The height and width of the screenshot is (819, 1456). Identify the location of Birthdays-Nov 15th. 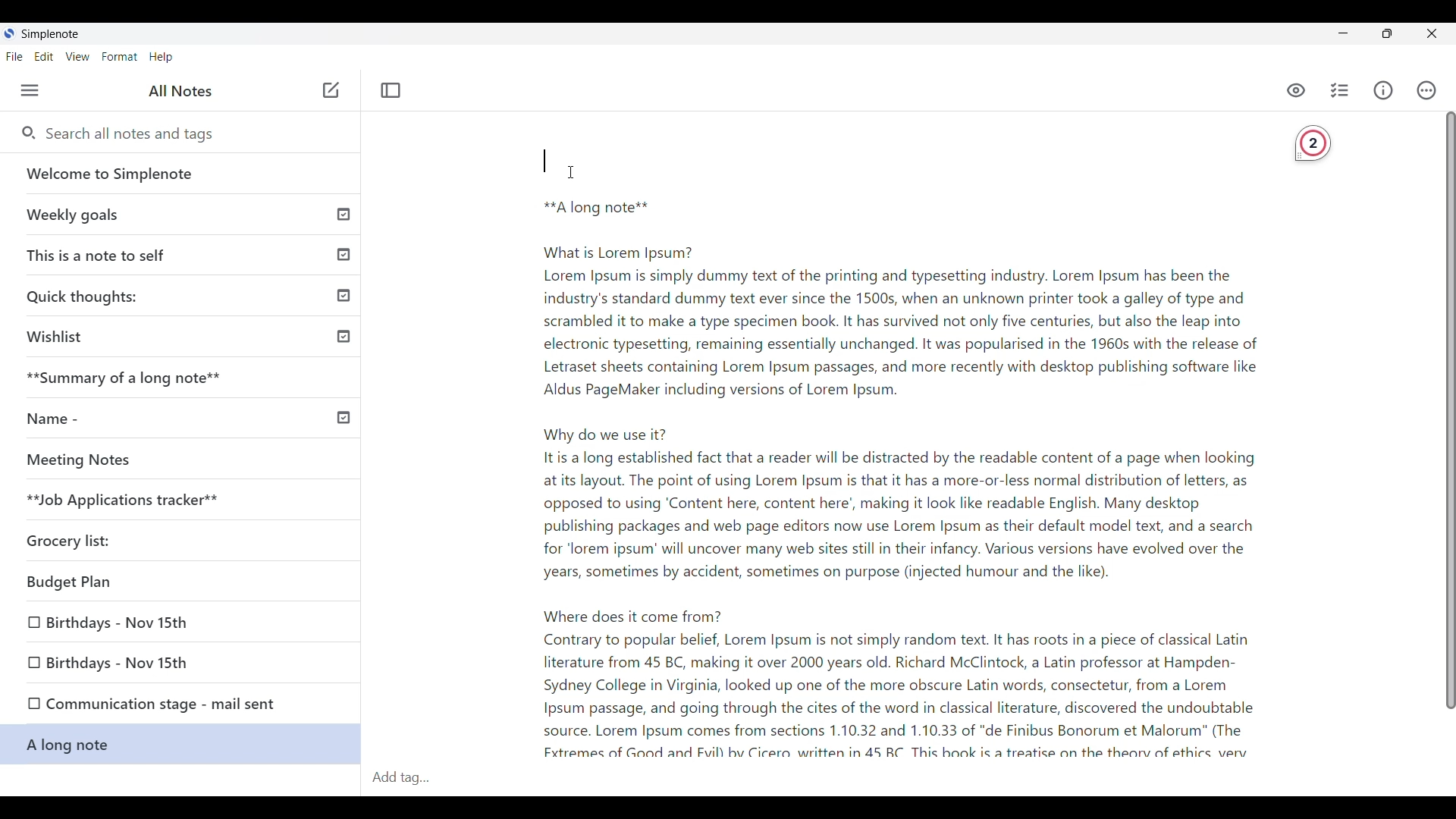
(123, 624).